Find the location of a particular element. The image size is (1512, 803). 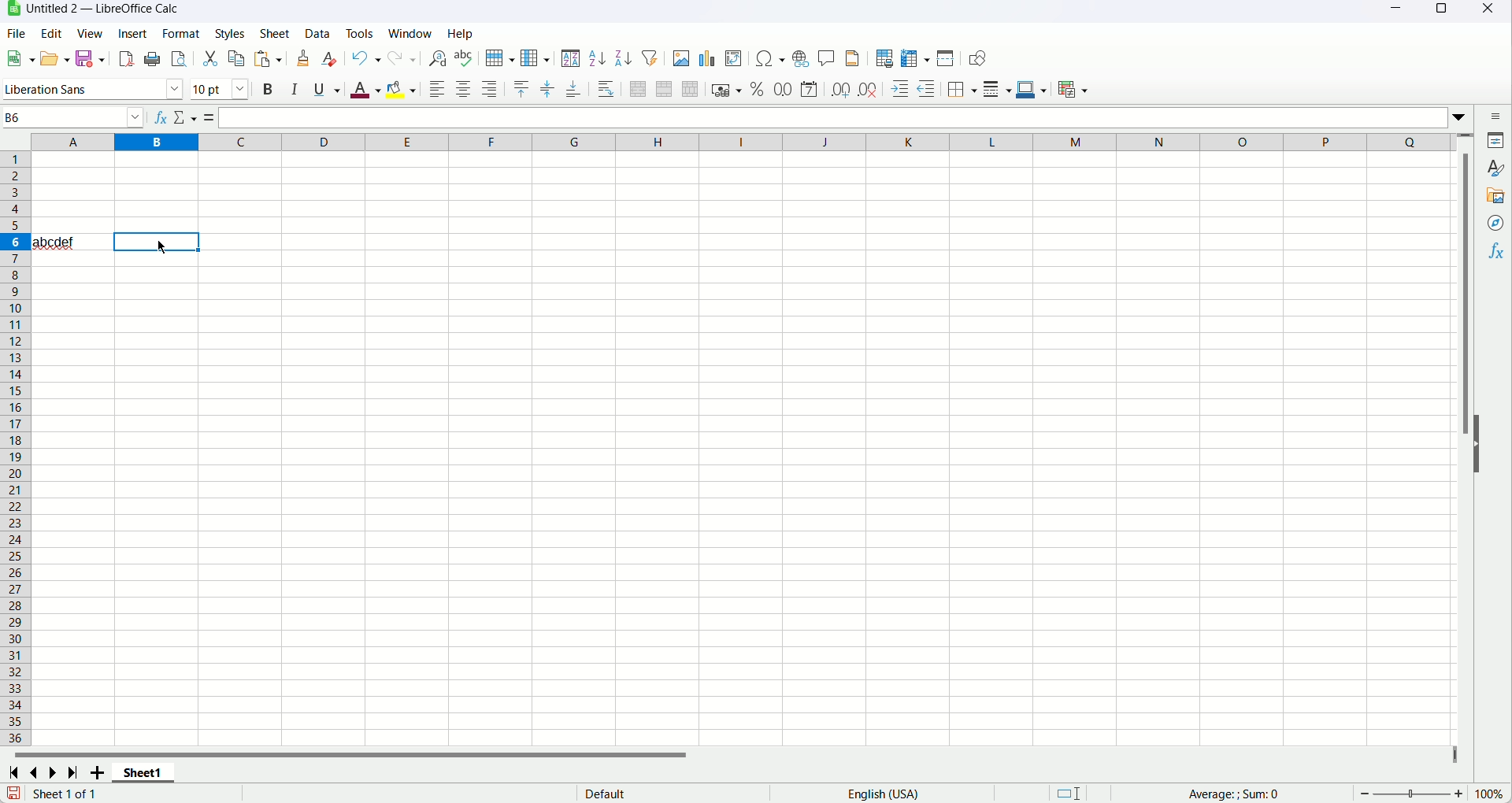

view is located at coordinates (89, 33).